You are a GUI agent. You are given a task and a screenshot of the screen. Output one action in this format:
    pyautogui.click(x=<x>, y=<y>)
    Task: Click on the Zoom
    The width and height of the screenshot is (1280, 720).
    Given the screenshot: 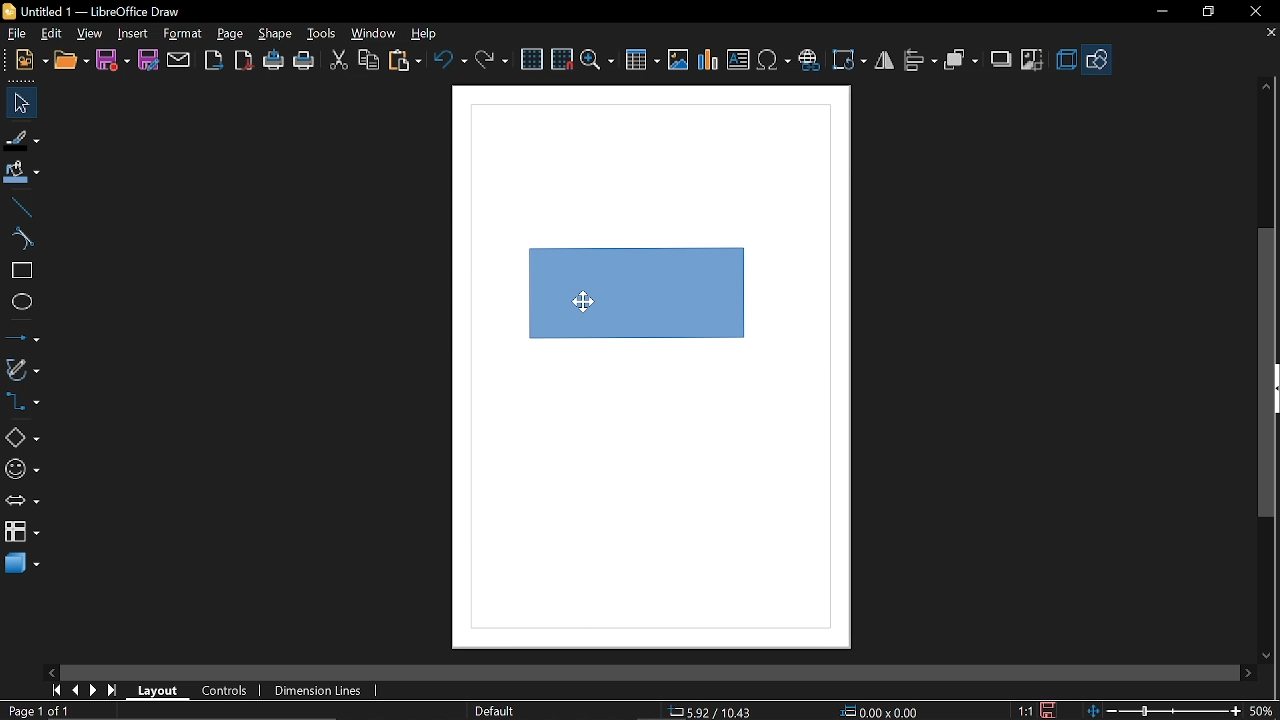 What is the action you would take?
    pyautogui.click(x=597, y=61)
    